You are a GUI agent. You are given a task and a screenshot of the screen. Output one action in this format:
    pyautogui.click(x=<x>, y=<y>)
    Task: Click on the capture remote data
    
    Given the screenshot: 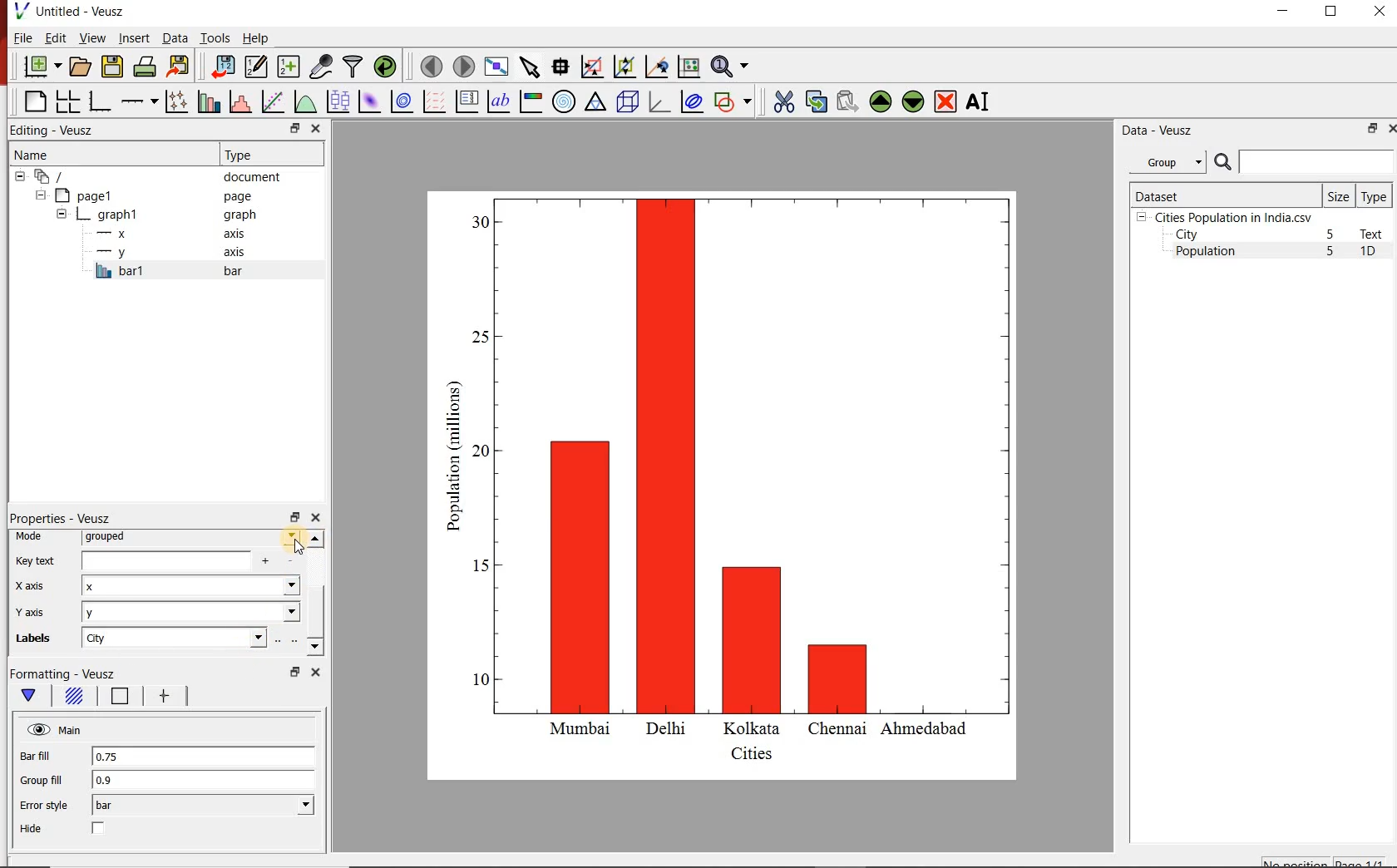 What is the action you would take?
    pyautogui.click(x=319, y=67)
    